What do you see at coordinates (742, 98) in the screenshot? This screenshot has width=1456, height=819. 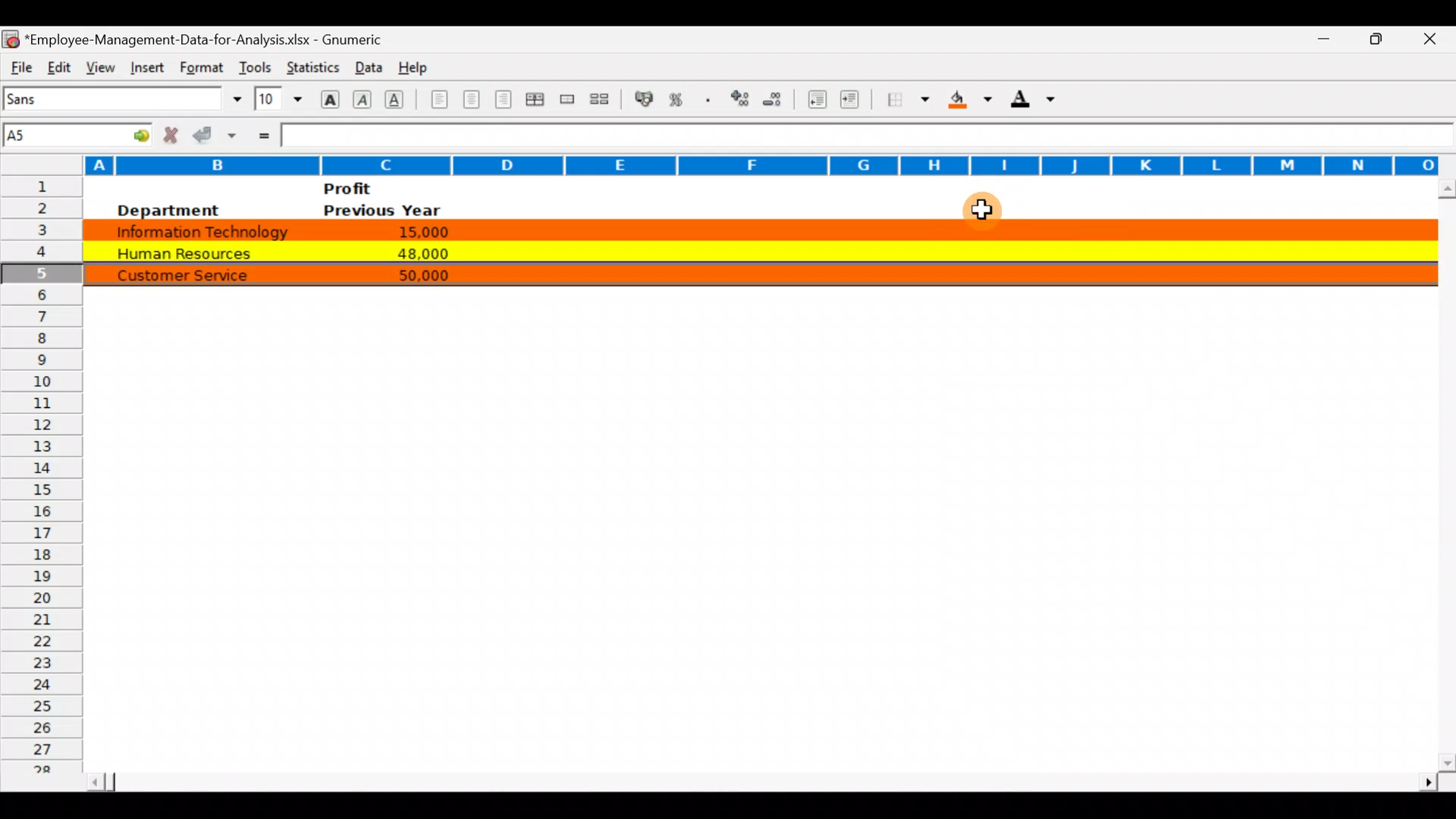 I see `Increase decimals` at bounding box center [742, 98].